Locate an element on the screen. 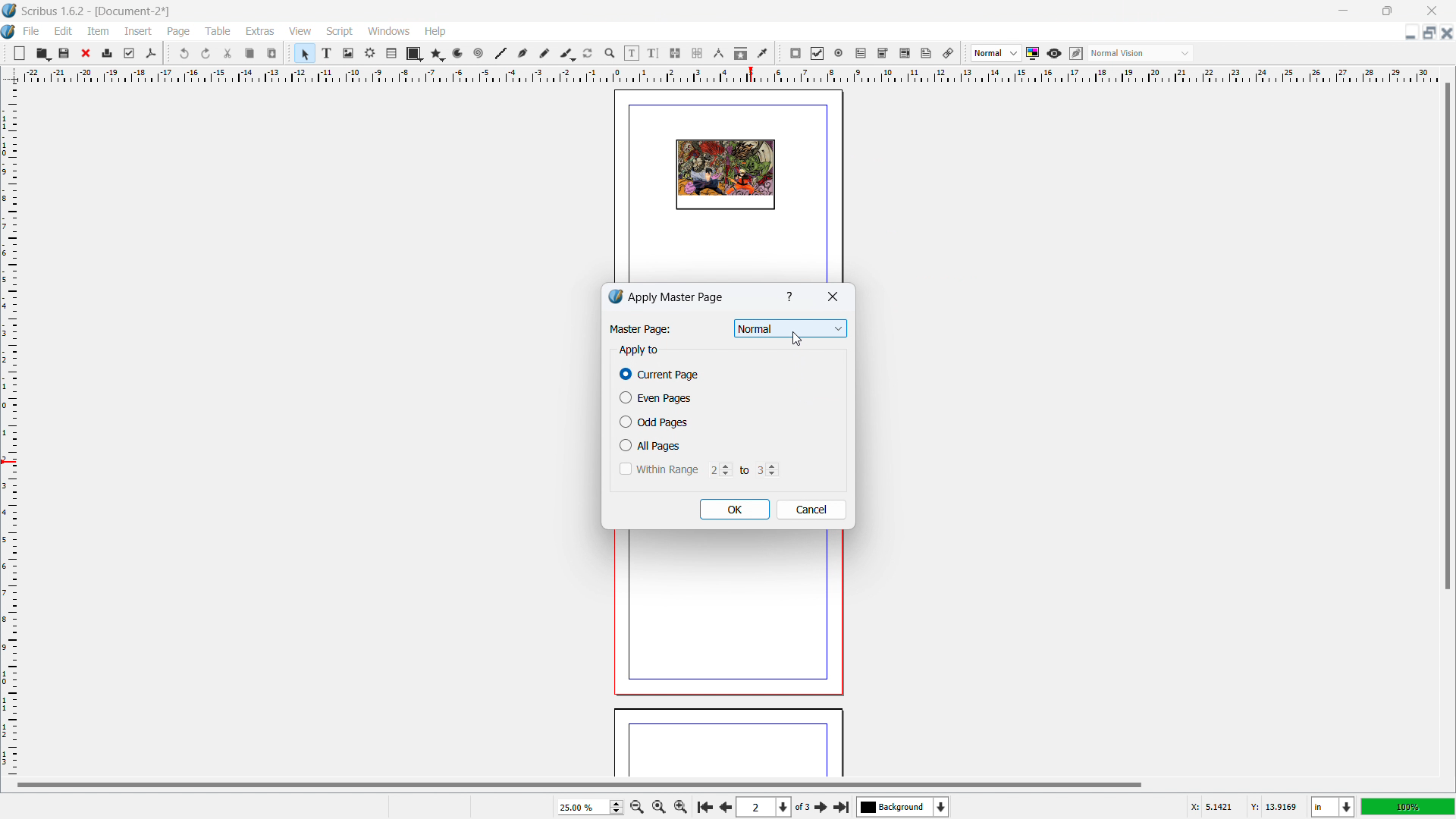 The width and height of the screenshot is (1456, 819). cursor is located at coordinates (797, 340).